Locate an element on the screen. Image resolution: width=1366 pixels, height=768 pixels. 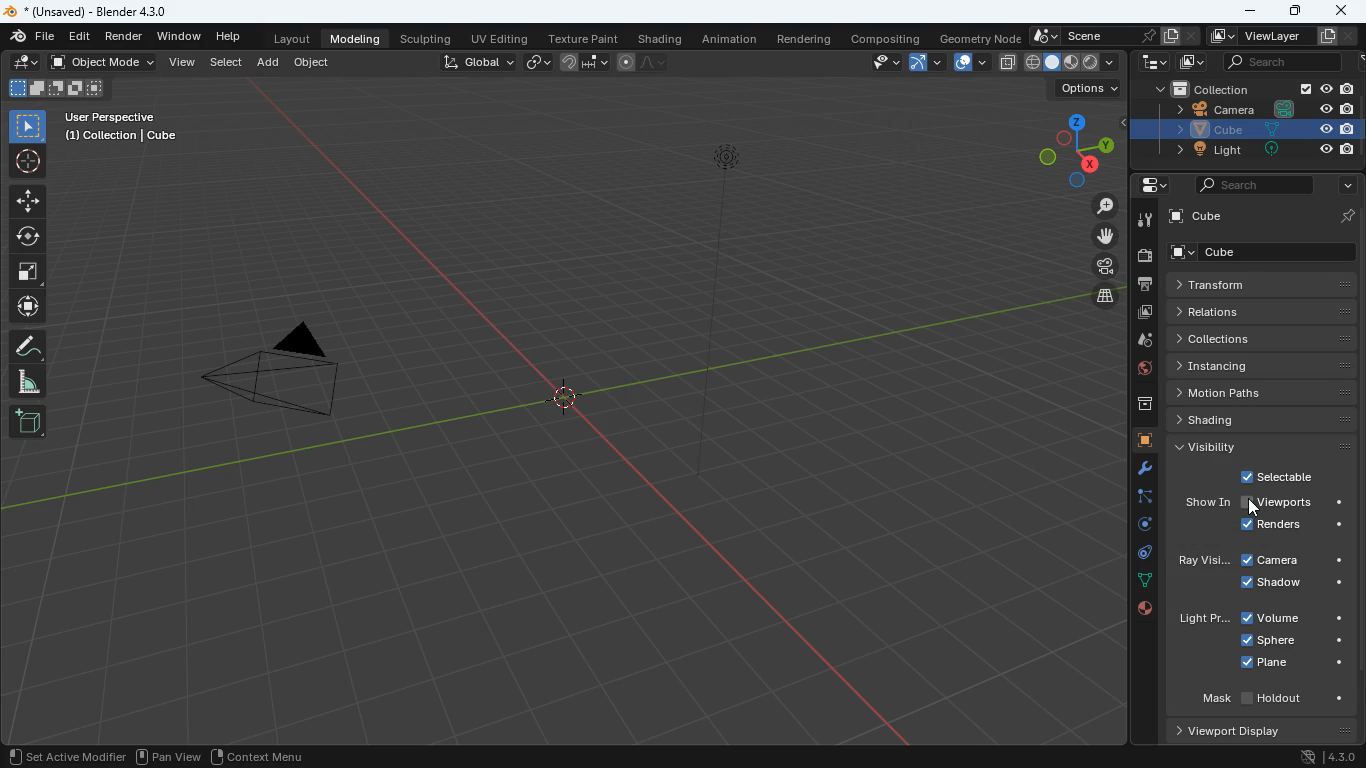
version is located at coordinates (1330, 754).